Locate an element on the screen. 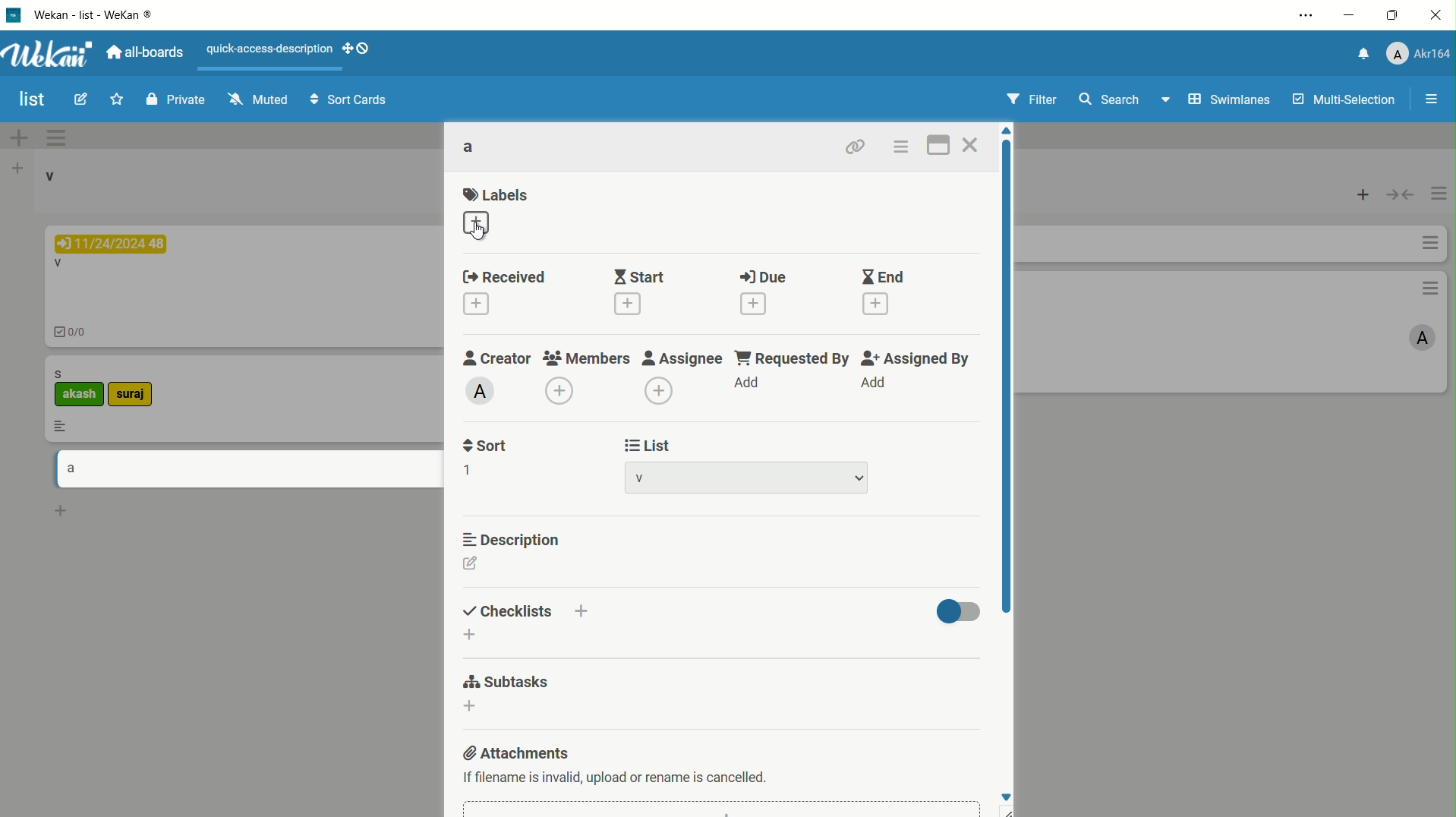 The image size is (1456, 817). copy link to clipboard is located at coordinates (852, 147).